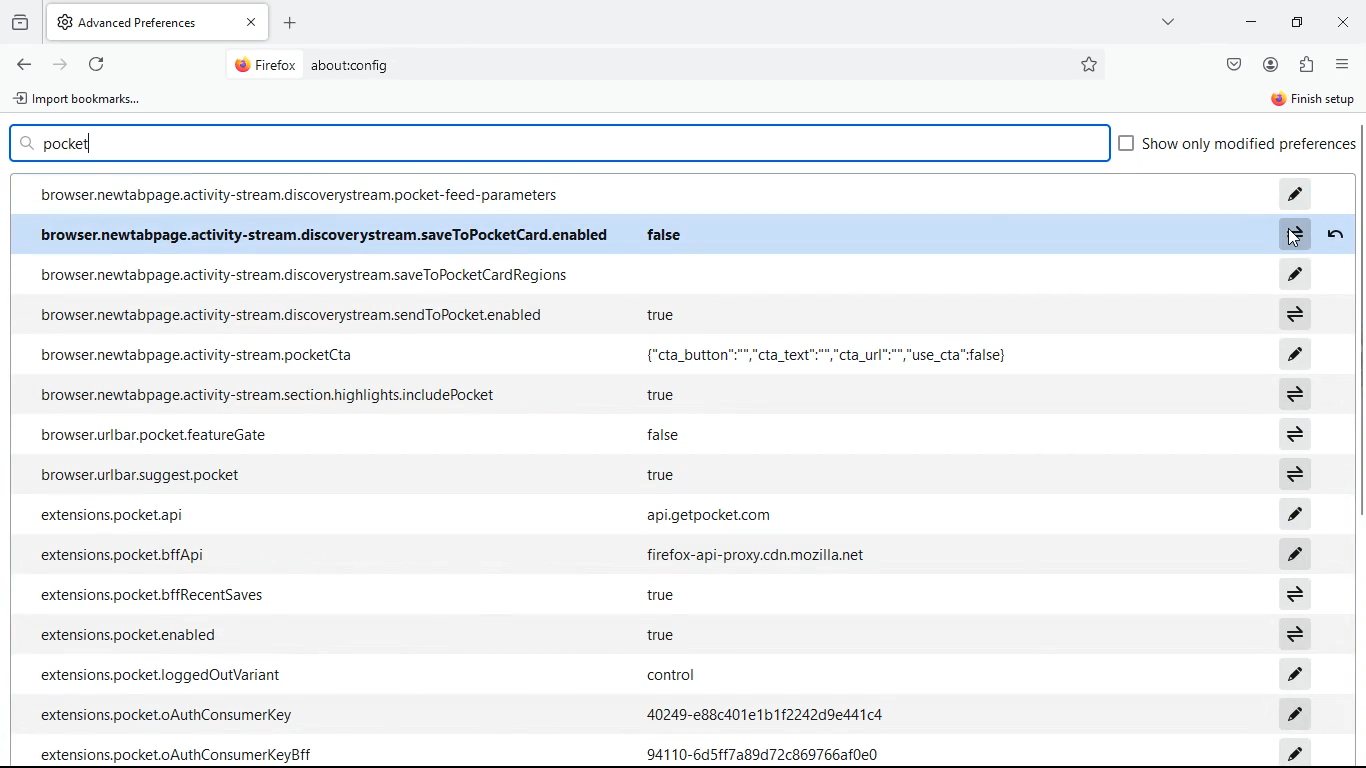  I want to click on about:config, so click(348, 65).